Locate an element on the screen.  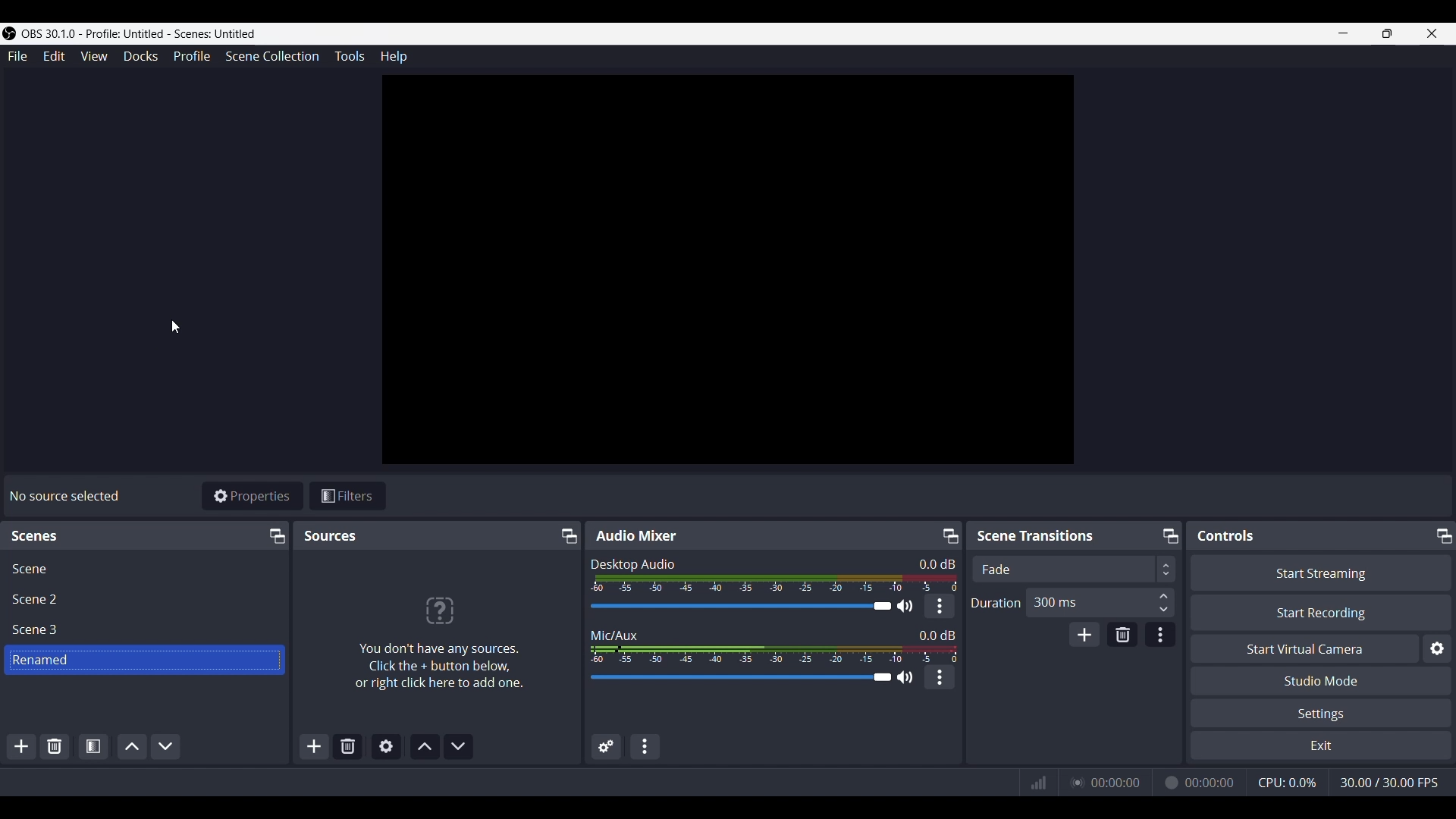
canvas is located at coordinates (733, 274).